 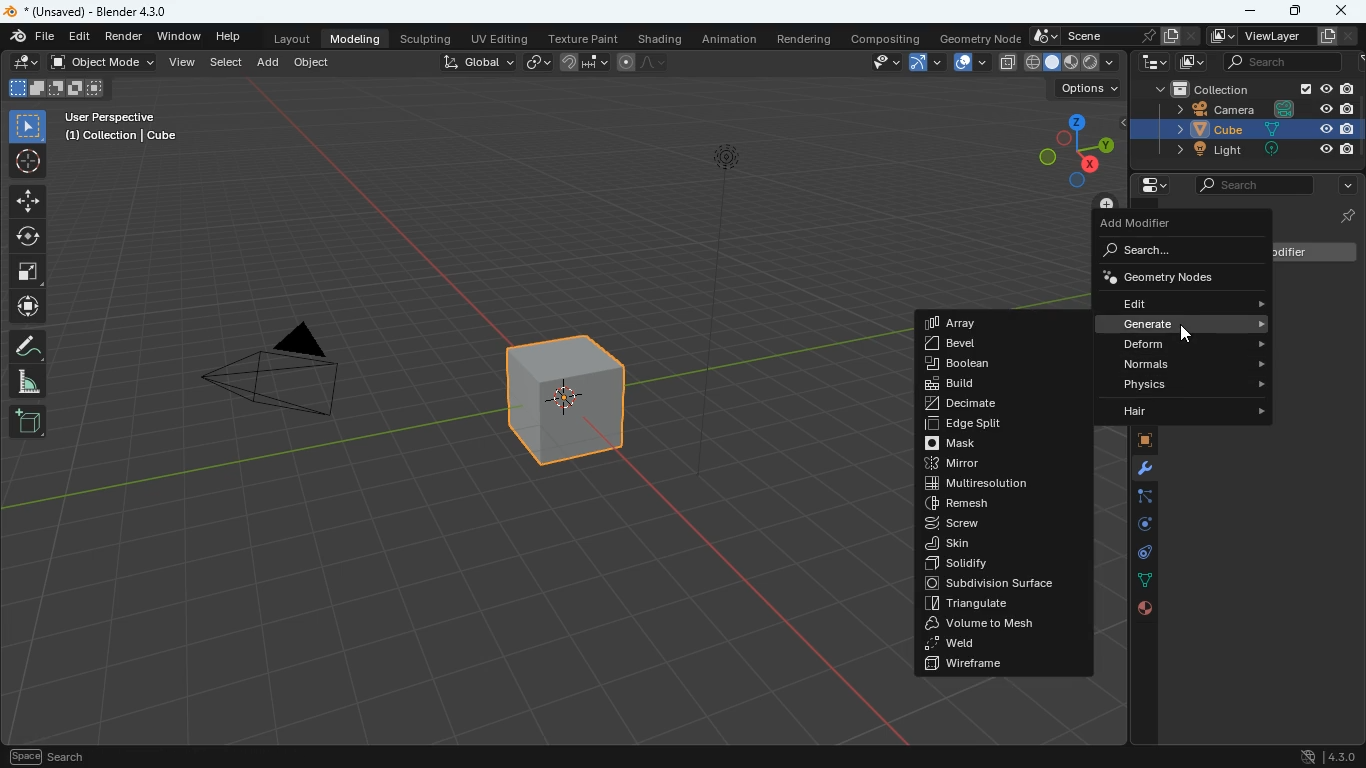 I want to click on close, so click(x=1344, y=10).